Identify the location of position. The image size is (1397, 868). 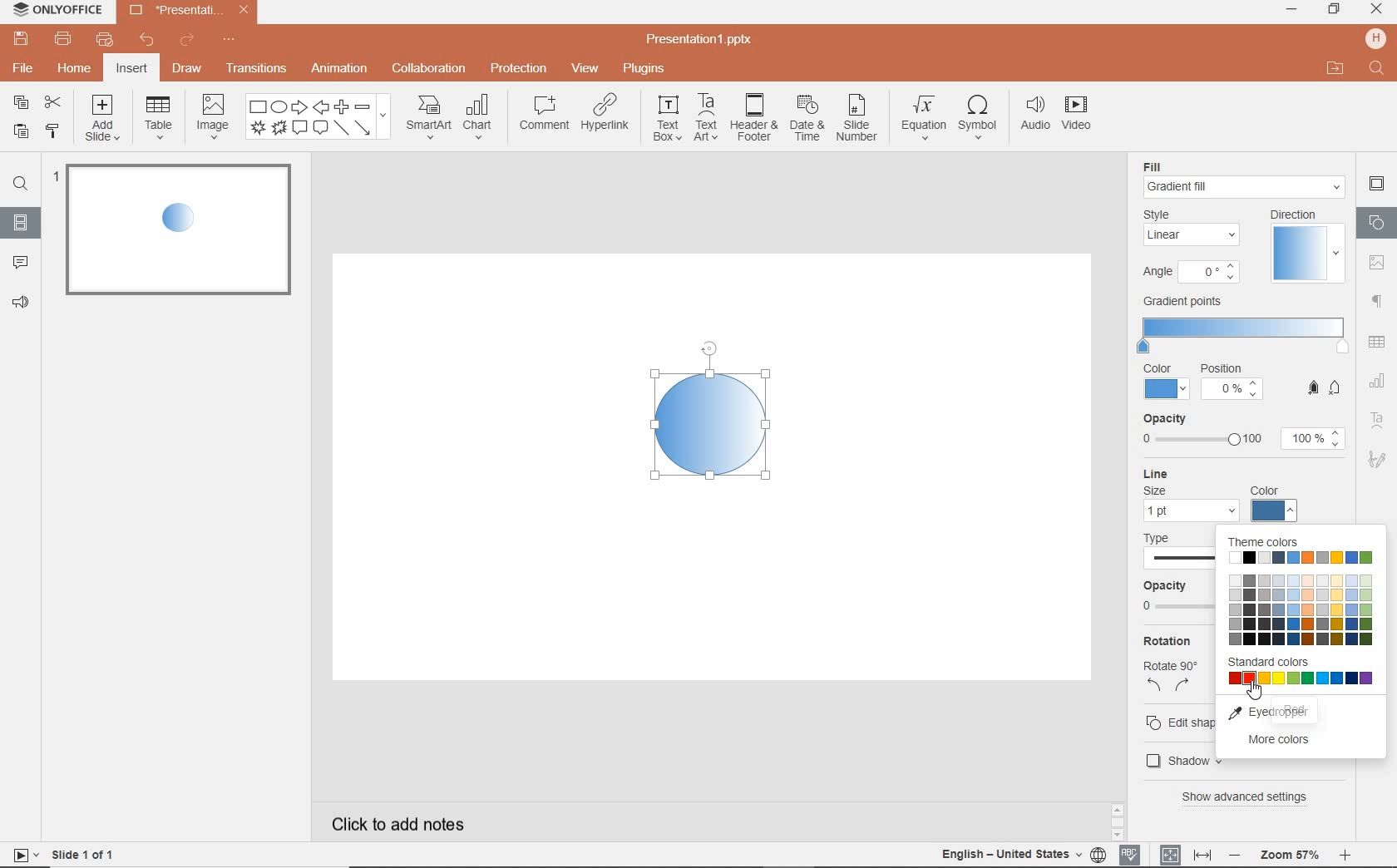
(1232, 384).